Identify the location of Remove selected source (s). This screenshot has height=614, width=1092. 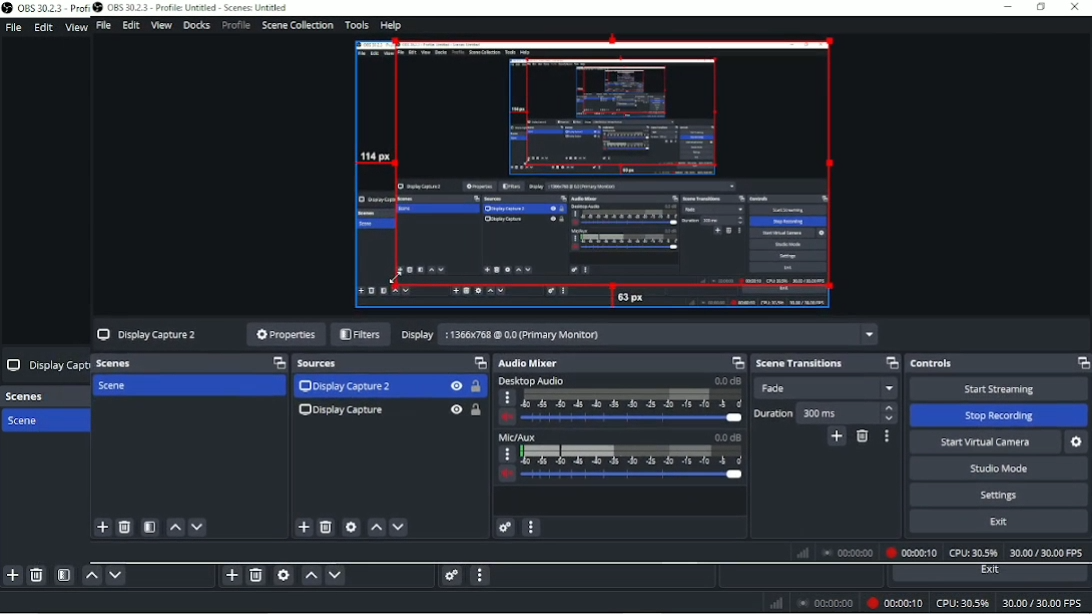
(256, 577).